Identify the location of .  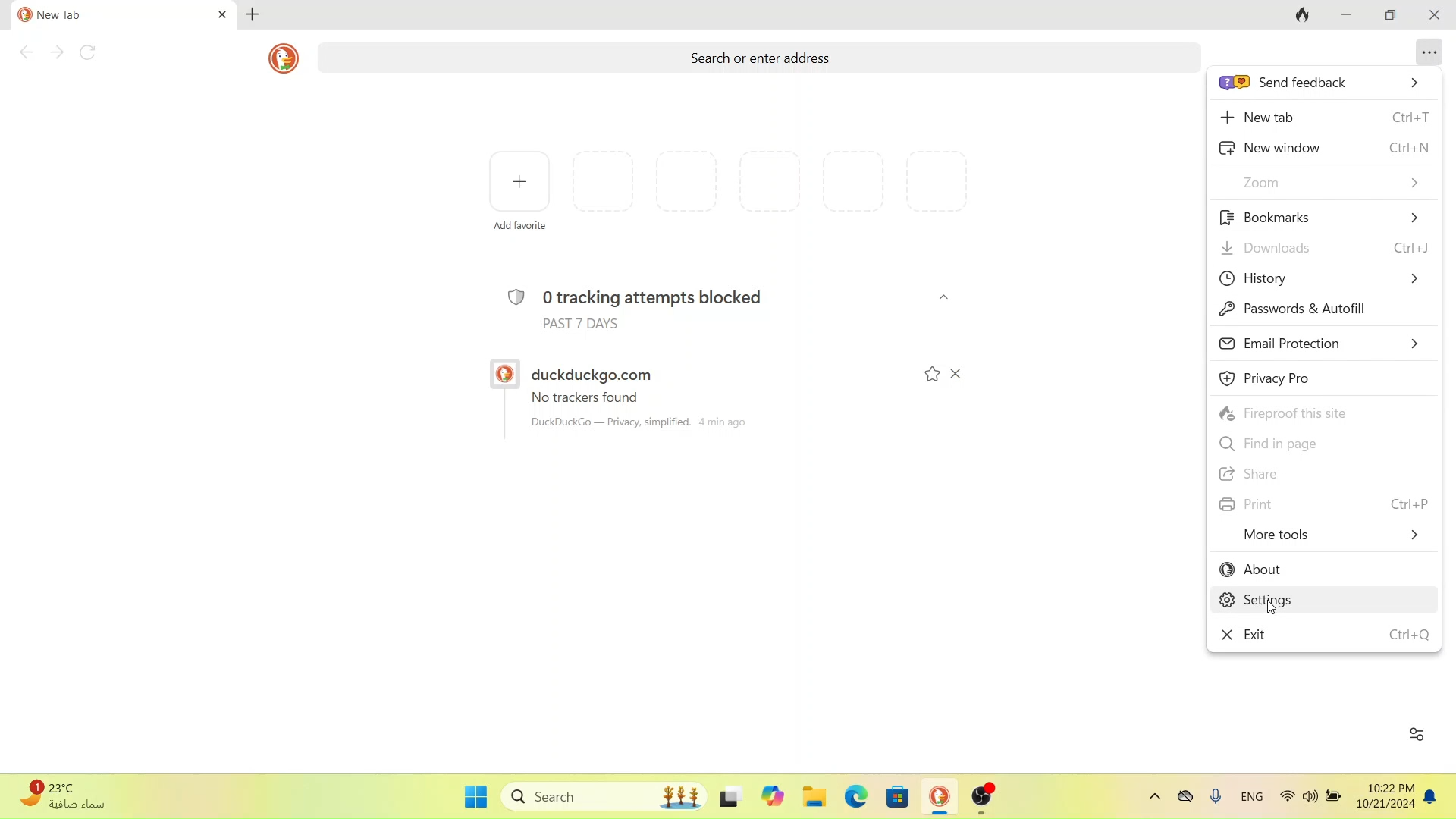
(771, 797).